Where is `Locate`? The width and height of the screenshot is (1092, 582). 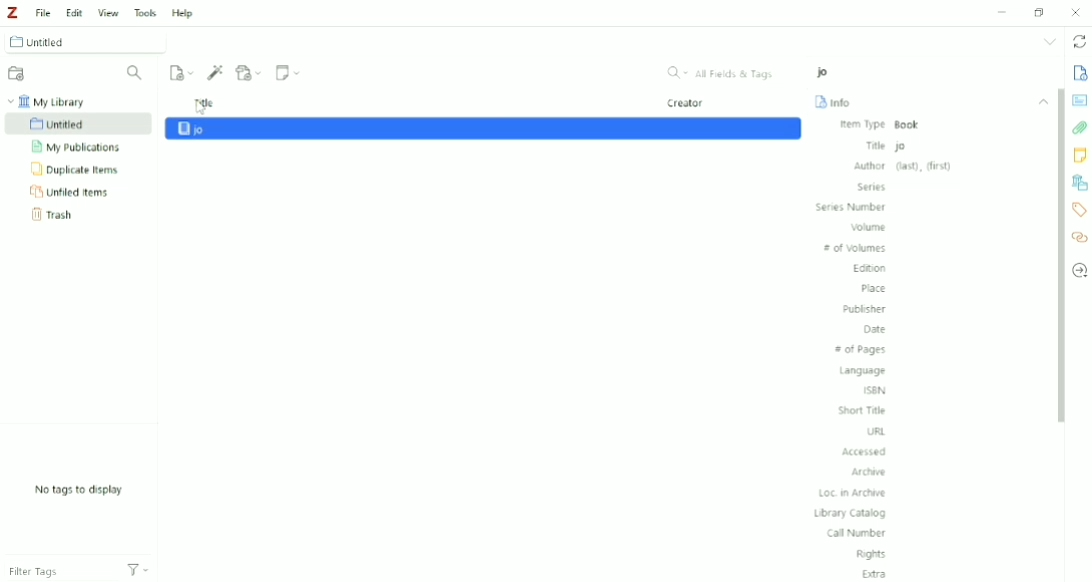 Locate is located at coordinates (1079, 270).